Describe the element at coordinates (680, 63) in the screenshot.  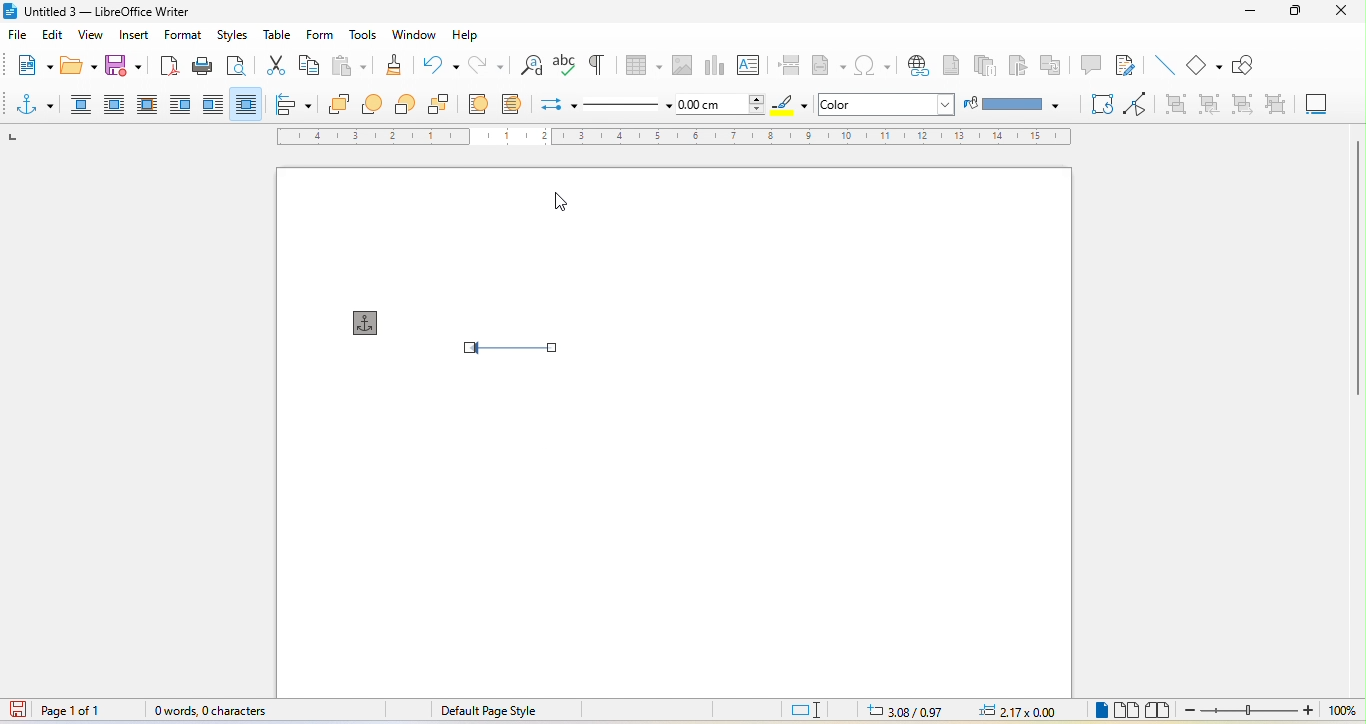
I see `image` at that location.